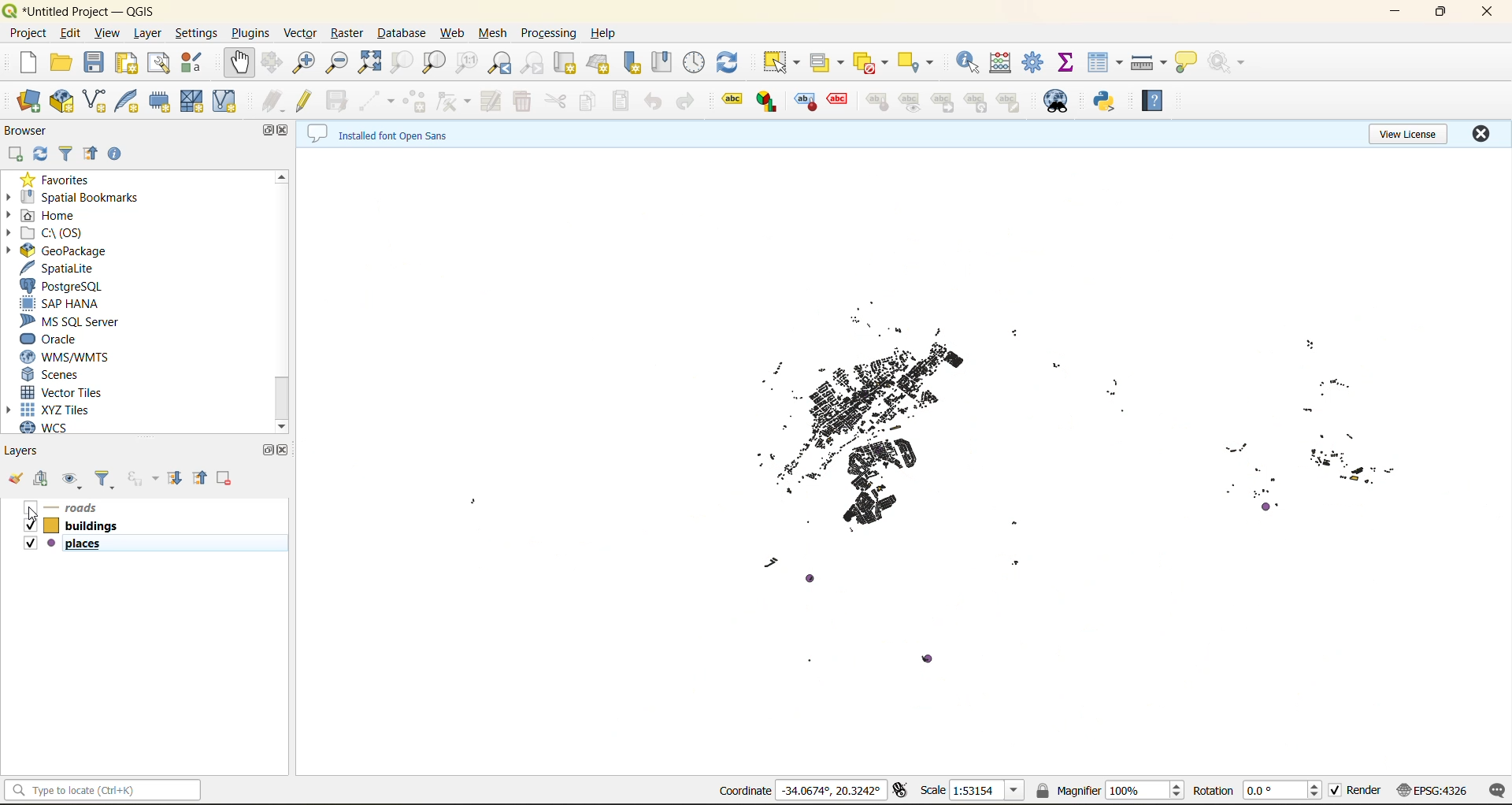  What do you see at coordinates (130, 102) in the screenshot?
I see `new spatialite` at bounding box center [130, 102].